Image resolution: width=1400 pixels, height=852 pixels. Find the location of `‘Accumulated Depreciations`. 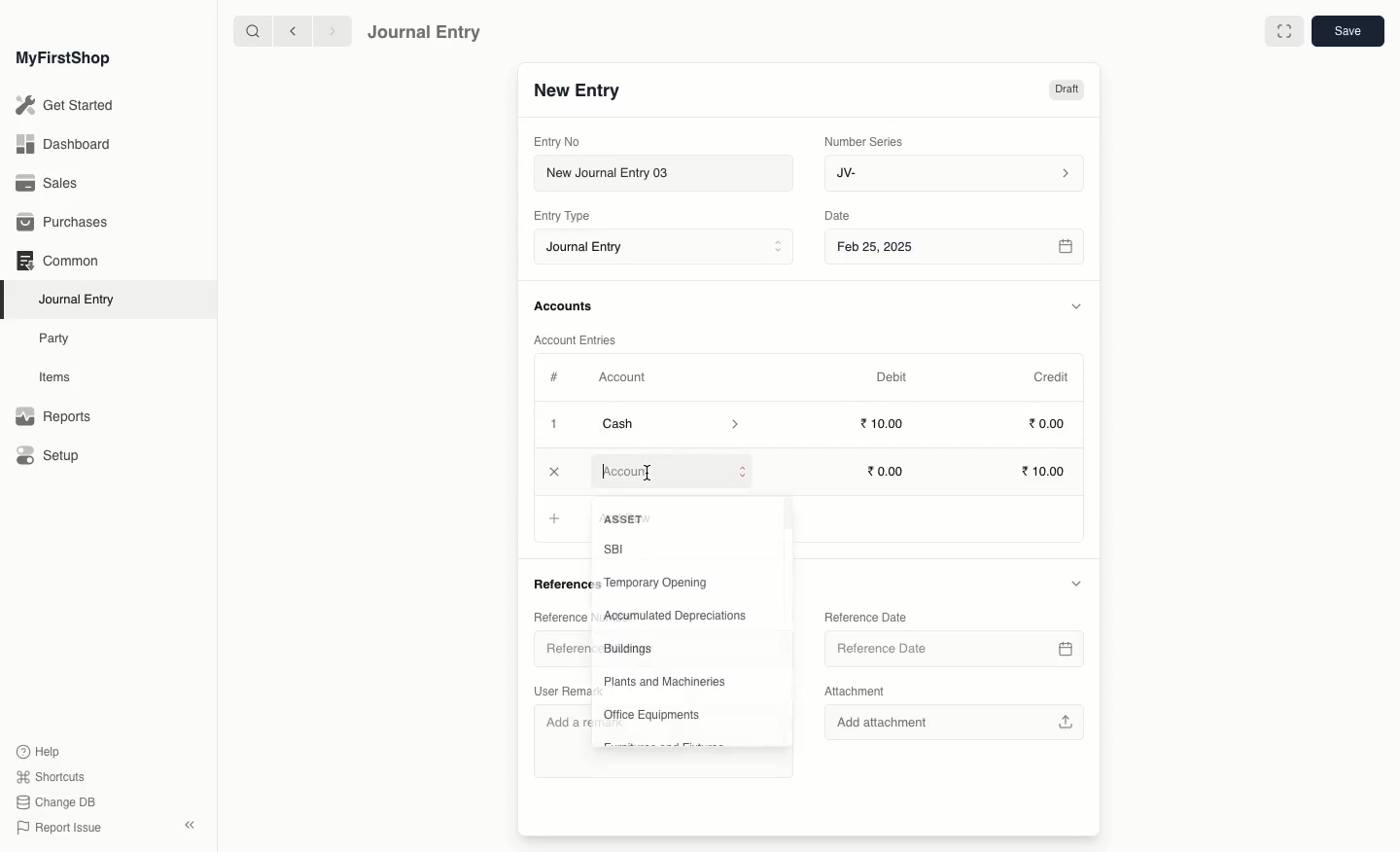

‘Accumulated Depreciations is located at coordinates (679, 618).